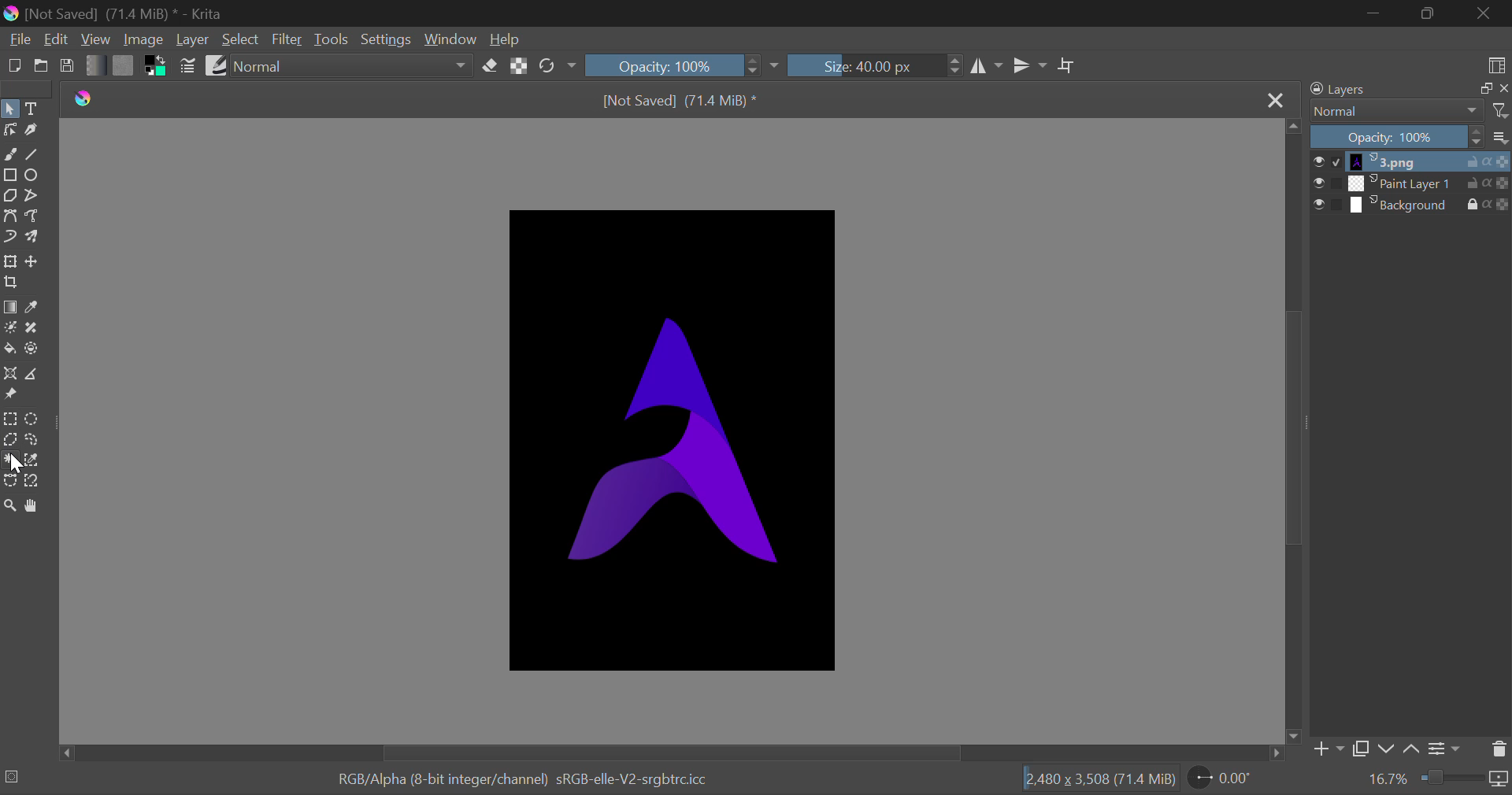 This screenshot has width=1512, height=795. Describe the element at coordinates (36, 328) in the screenshot. I see `Smart Patch Tool` at that location.